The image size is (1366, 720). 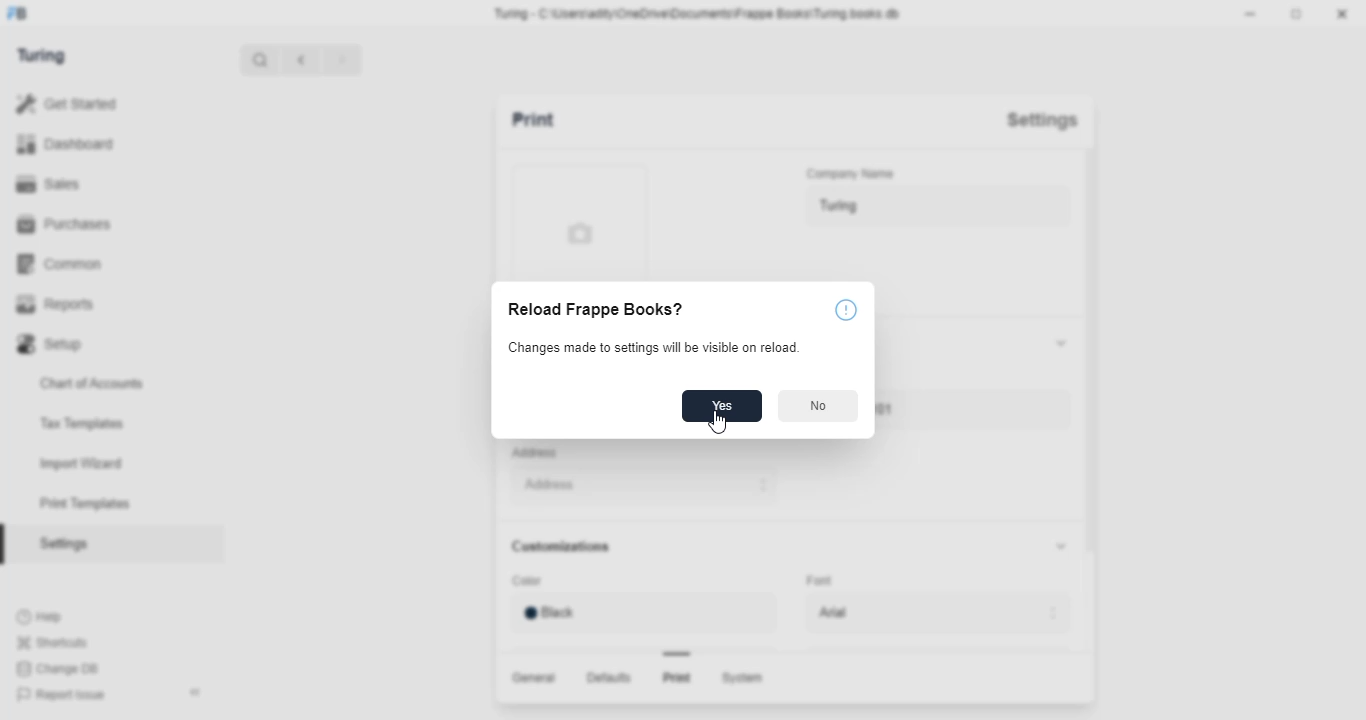 What do you see at coordinates (676, 678) in the screenshot?
I see `Print` at bounding box center [676, 678].